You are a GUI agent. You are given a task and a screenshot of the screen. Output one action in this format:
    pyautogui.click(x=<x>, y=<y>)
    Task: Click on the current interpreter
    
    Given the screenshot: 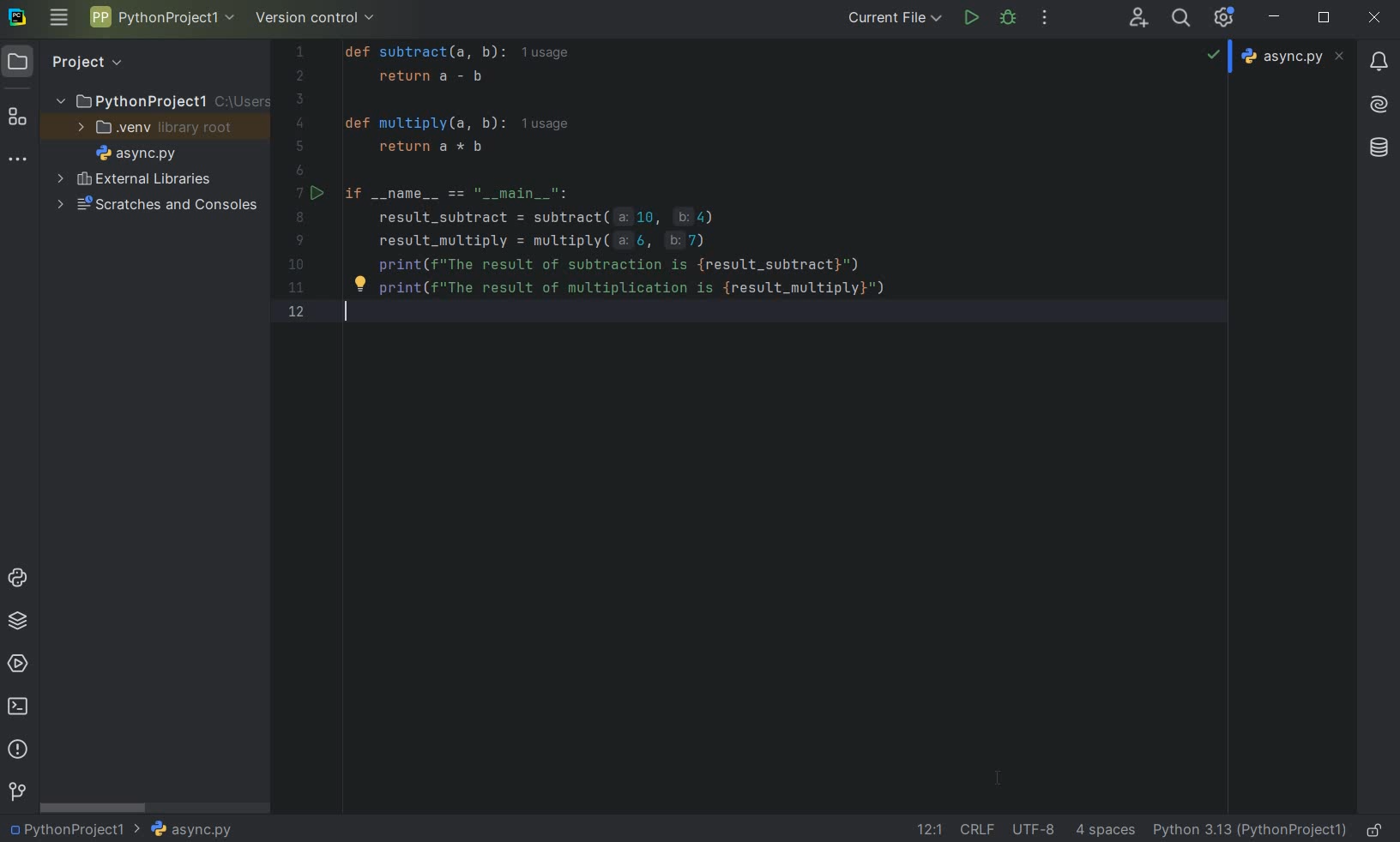 What is the action you would take?
    pyautogui.click(x=1251, y=829)
    